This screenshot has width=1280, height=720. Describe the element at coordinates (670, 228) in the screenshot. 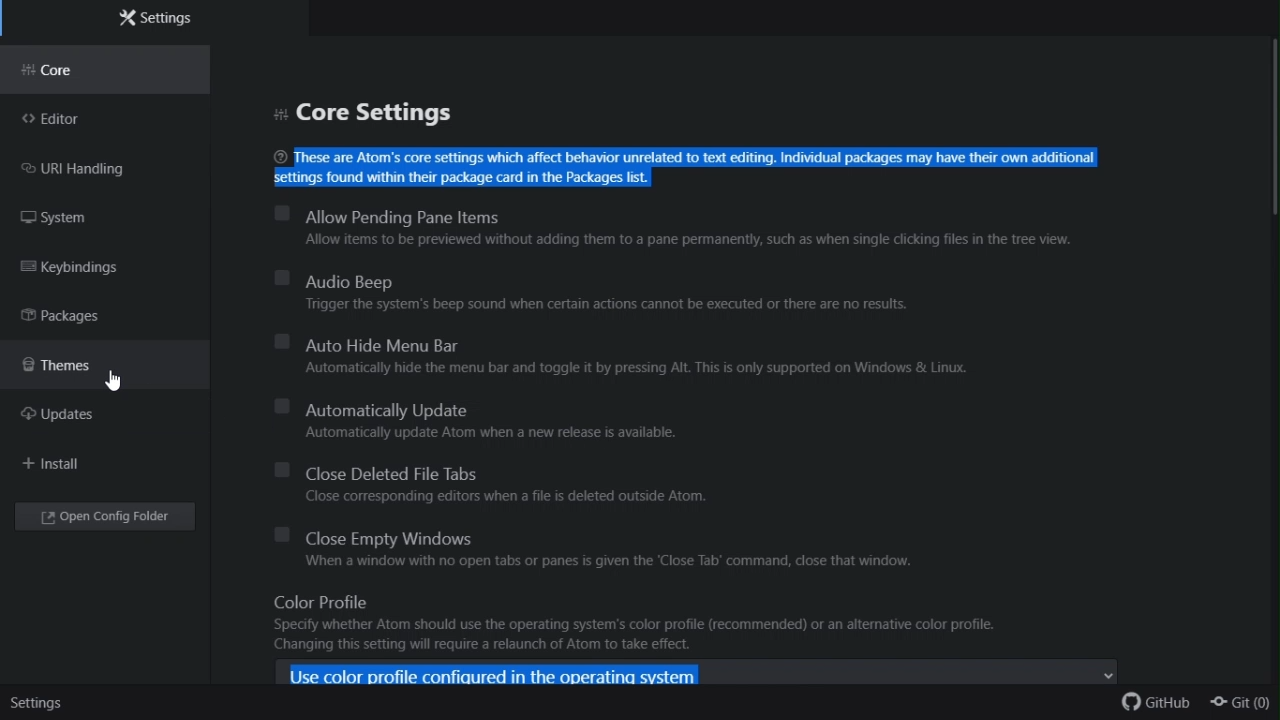

I see `Allow pending Pane items` at that location.